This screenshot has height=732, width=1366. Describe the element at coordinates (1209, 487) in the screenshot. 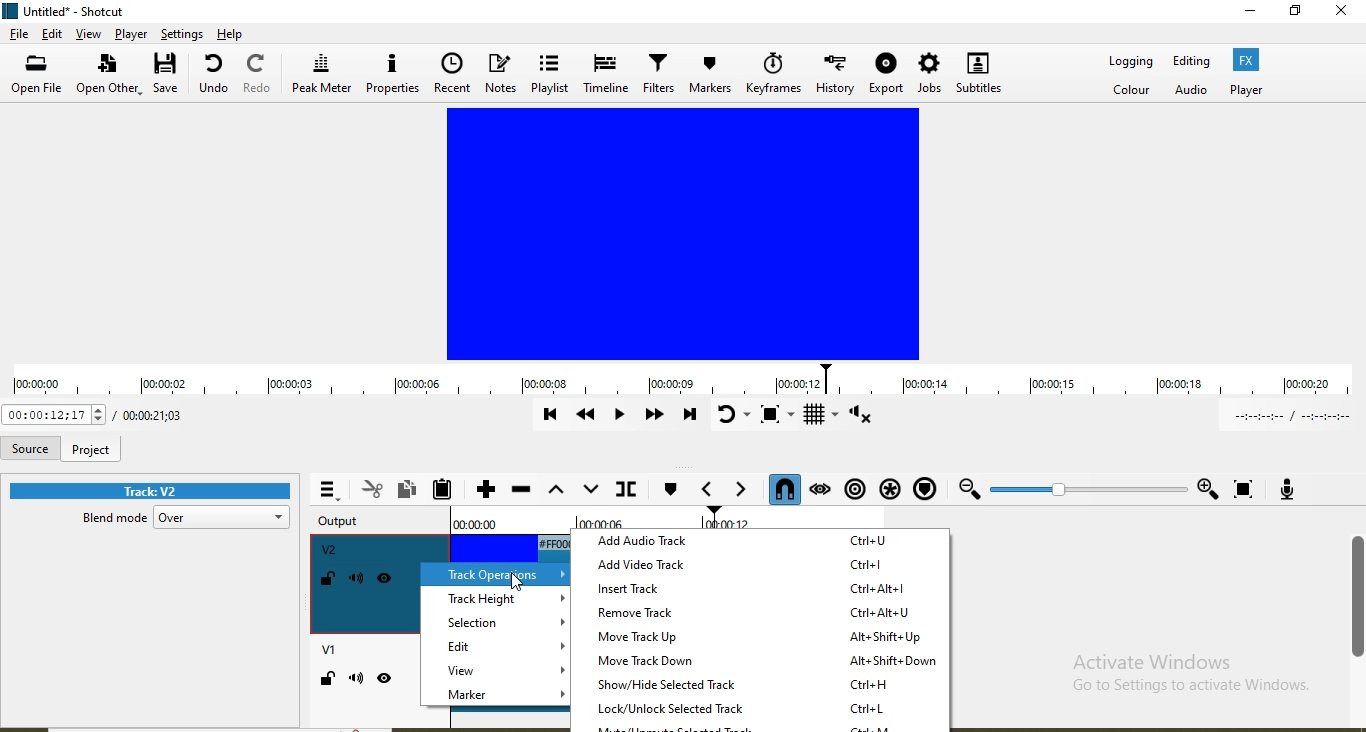

I see `Zoom in` at that location.